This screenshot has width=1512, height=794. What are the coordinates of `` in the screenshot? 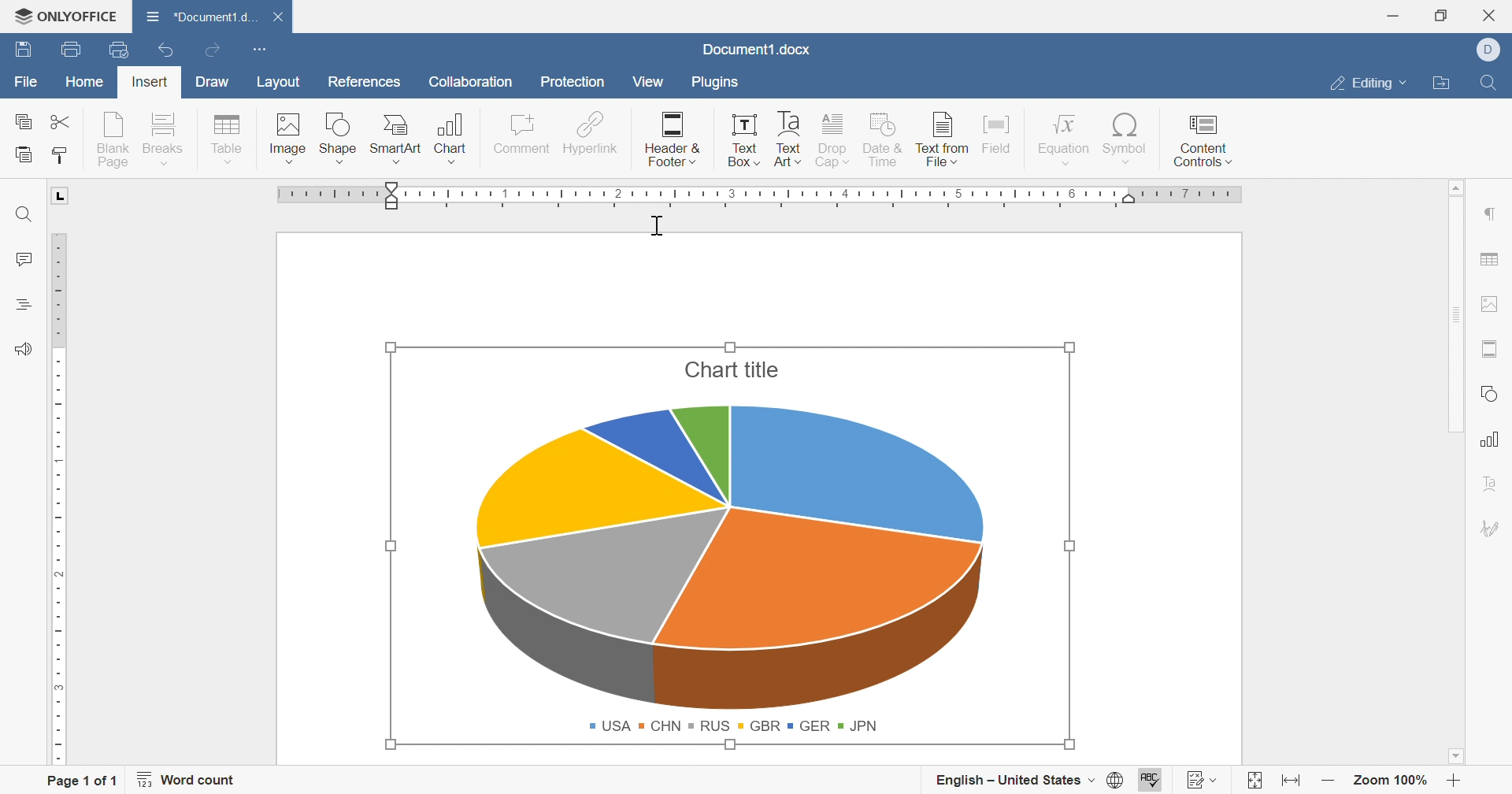 It's located at (600, 137).